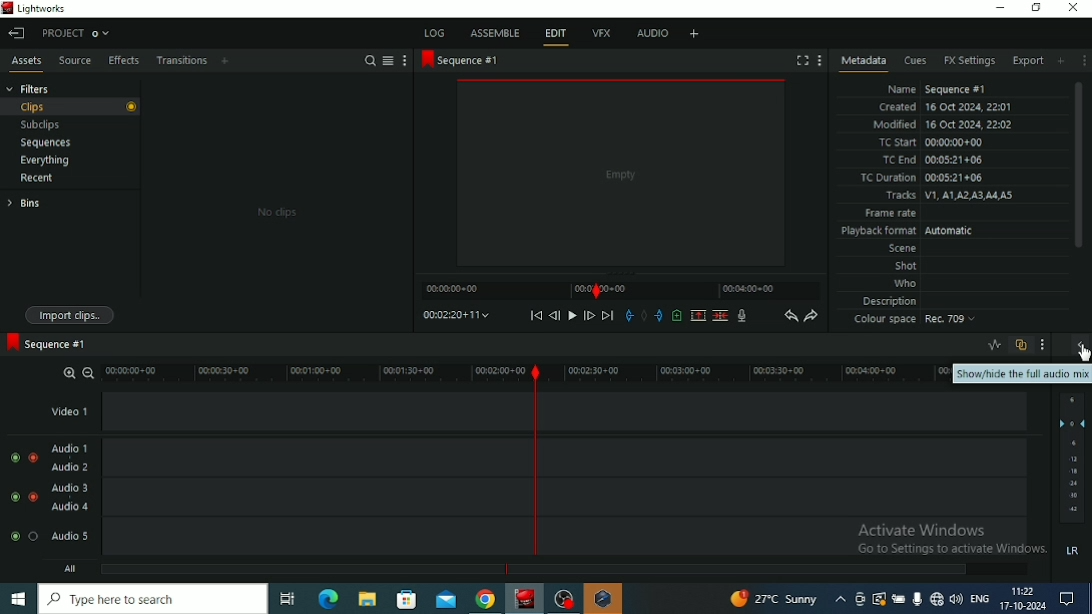 The width and height of the screenshot is (1092, 614). What do you see at coordinates (88, 372) in the screenshot?
I see `Zoom out` at bounding box center [88, 372].